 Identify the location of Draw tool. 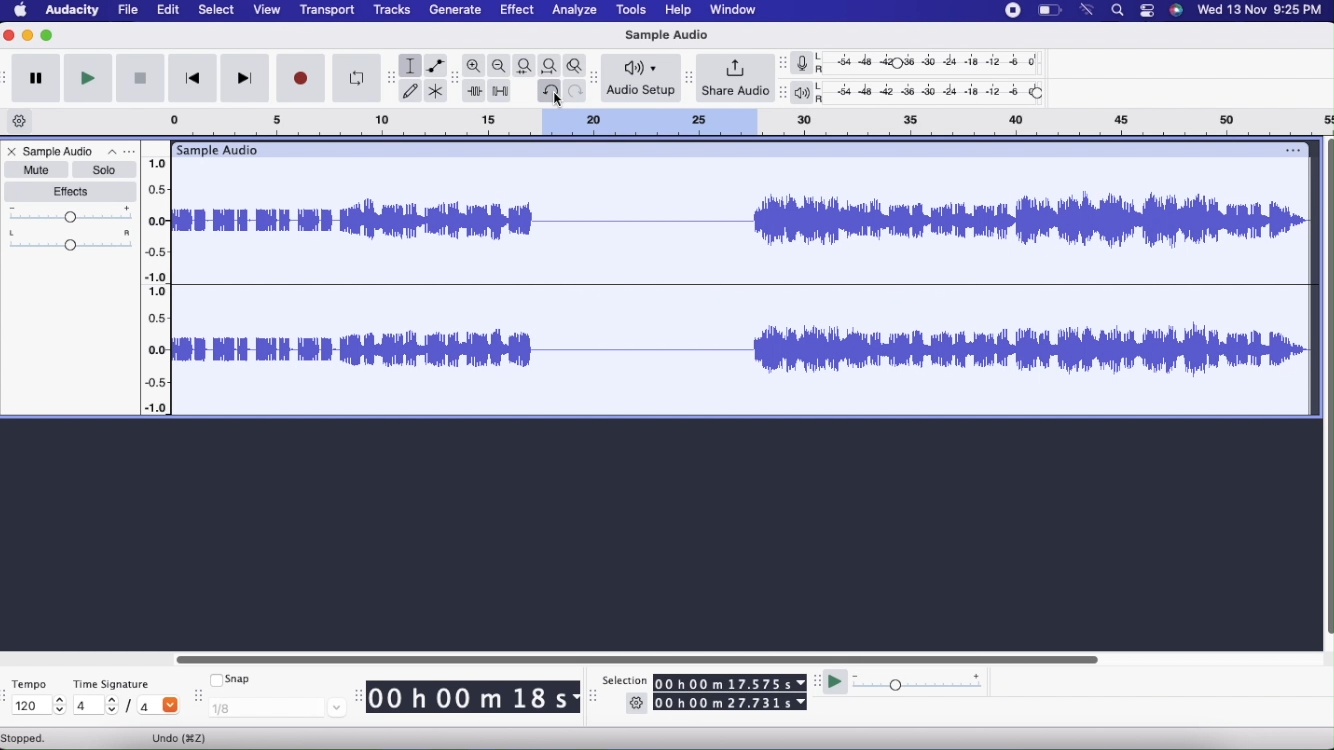
(411, 92).